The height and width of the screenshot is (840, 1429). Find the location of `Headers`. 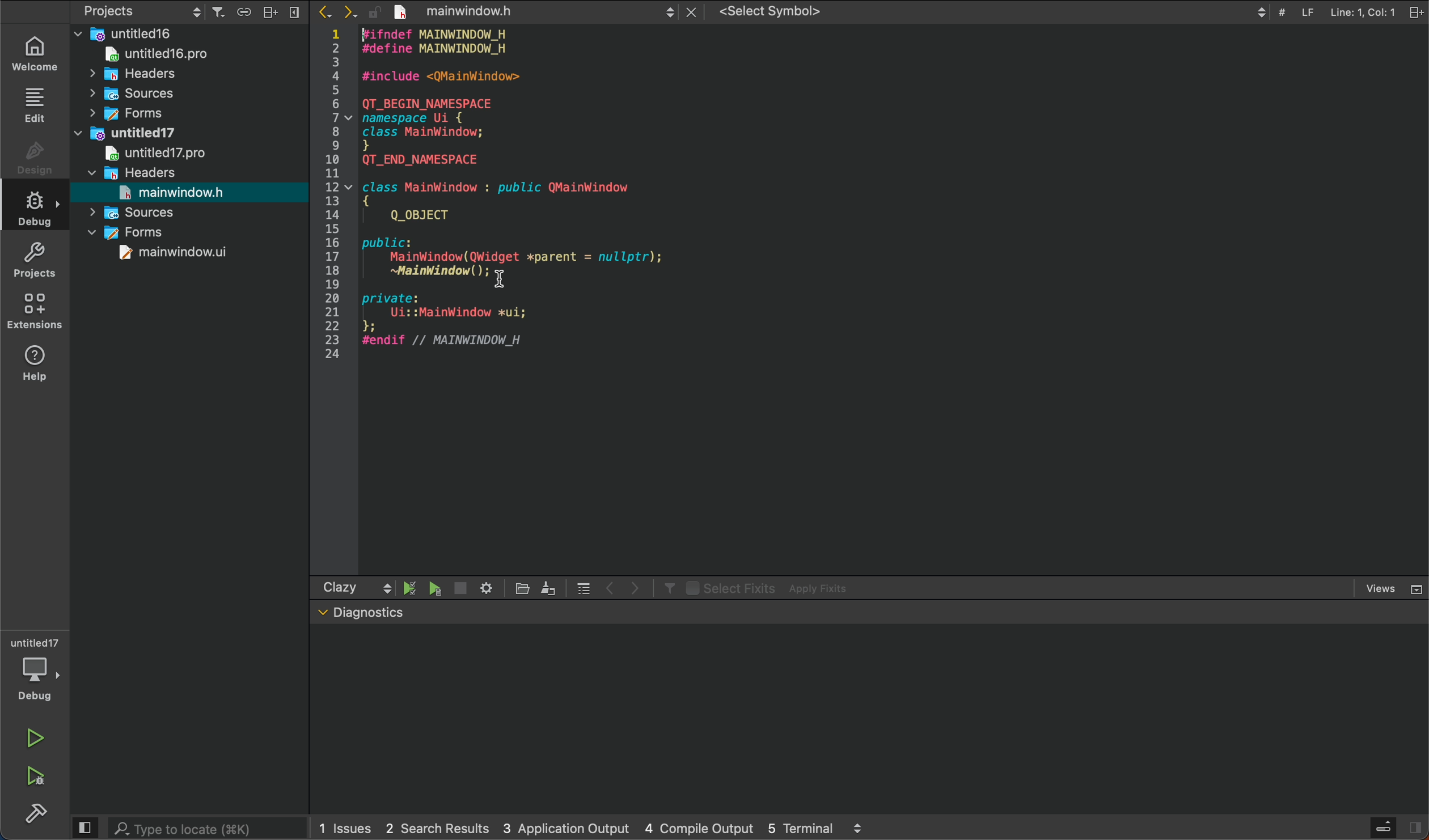

Headers is located at coordinates (124, 72).